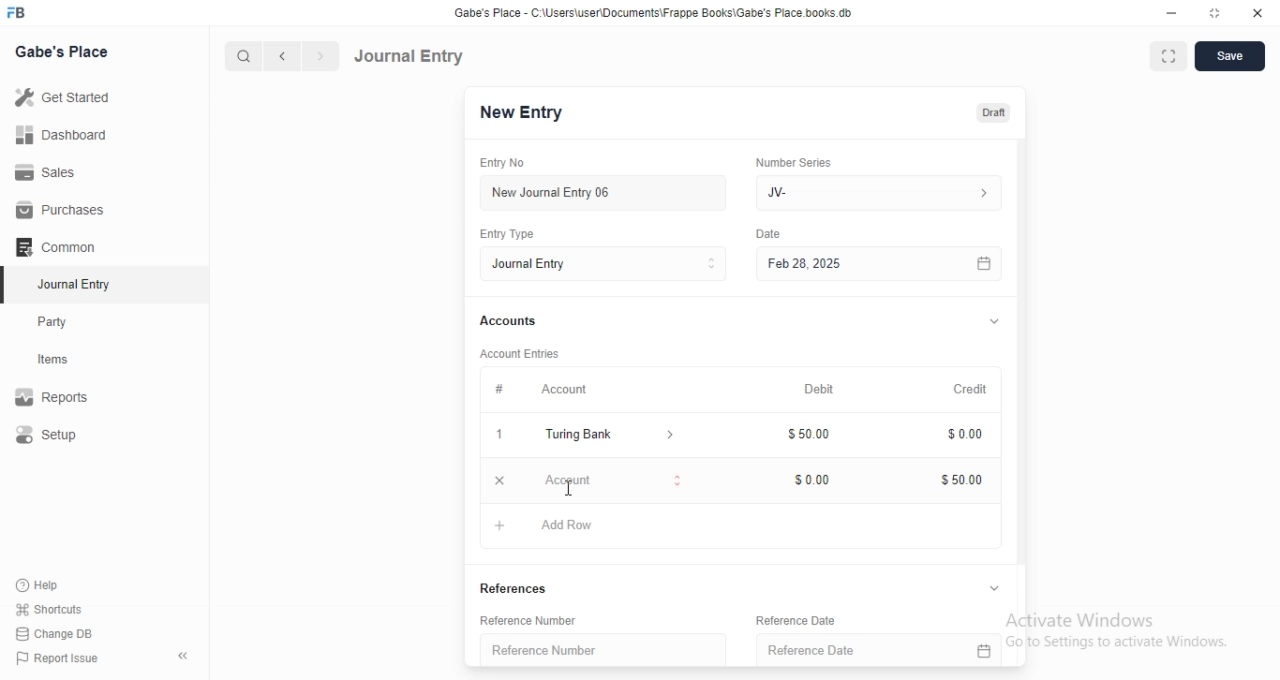 Image resolution: width=1280 pixels, height=680 pixels. I want to click on Purchases, so click(63, 210).